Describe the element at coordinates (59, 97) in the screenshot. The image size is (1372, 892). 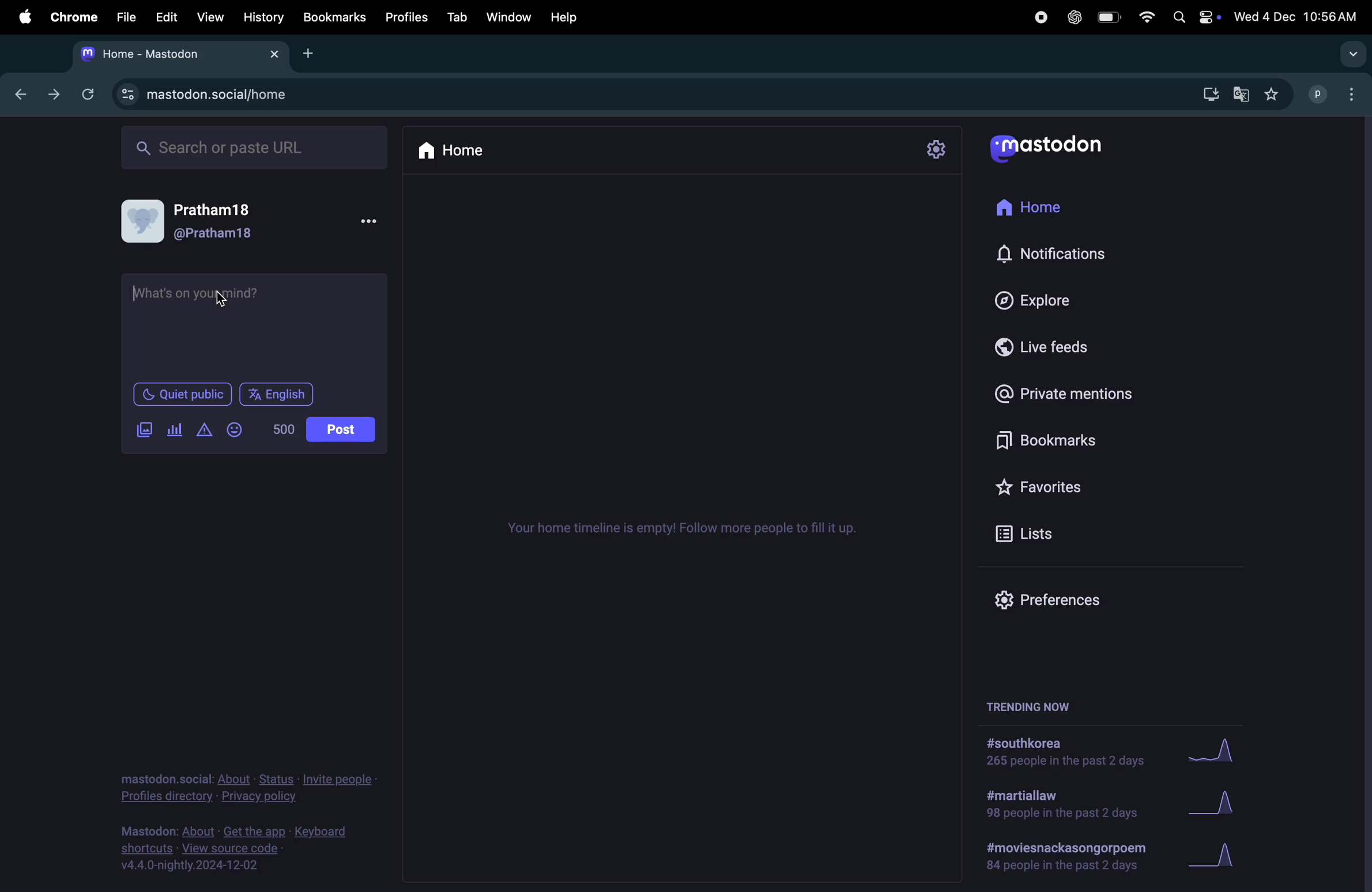
I see `next tab` at that location.